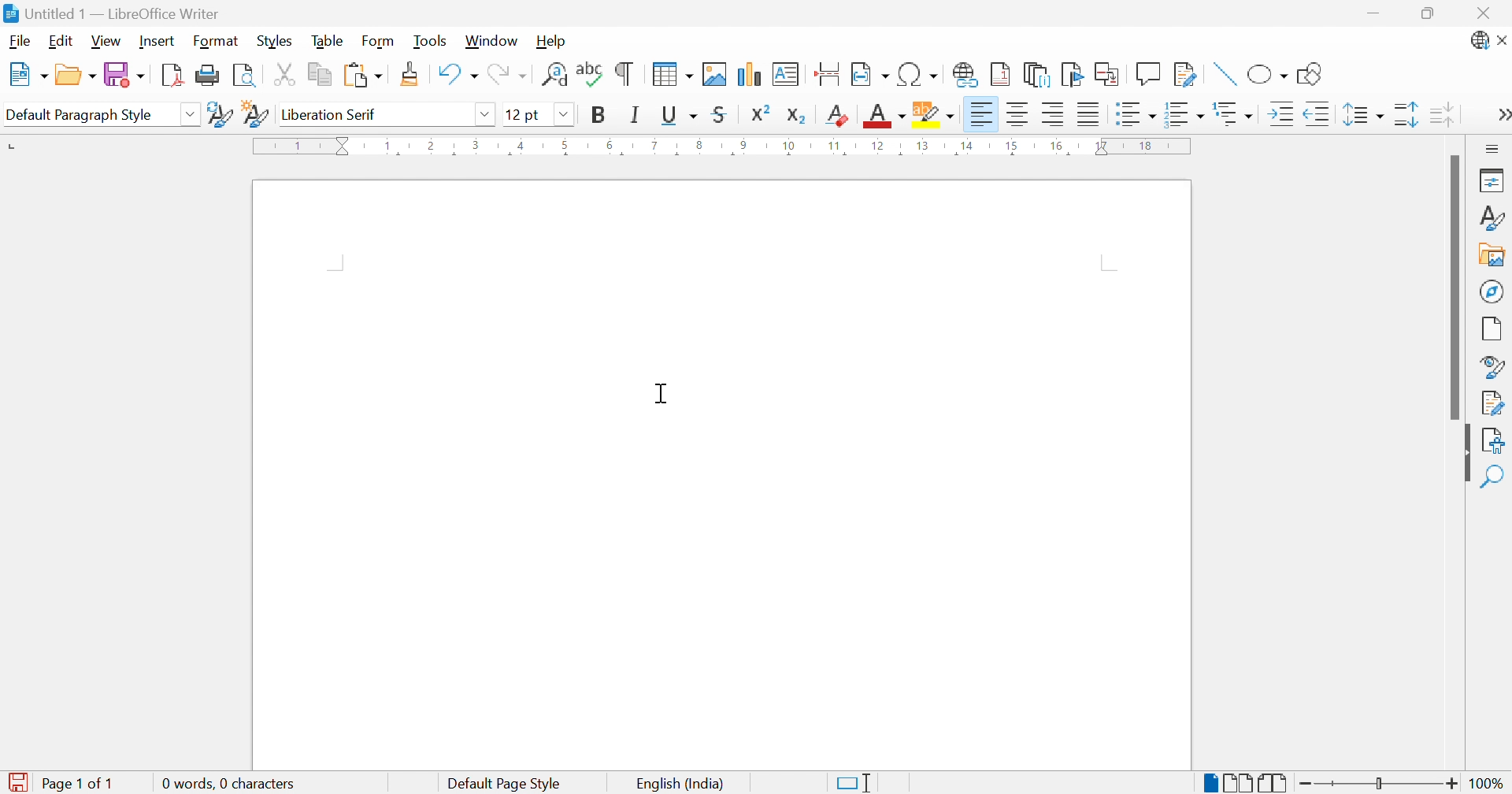 This screenshot has height=794, width=1512. What do you see at coordinates (1499, 117) in the screenshot?
I see `More` at bounding box center [1499, 117].